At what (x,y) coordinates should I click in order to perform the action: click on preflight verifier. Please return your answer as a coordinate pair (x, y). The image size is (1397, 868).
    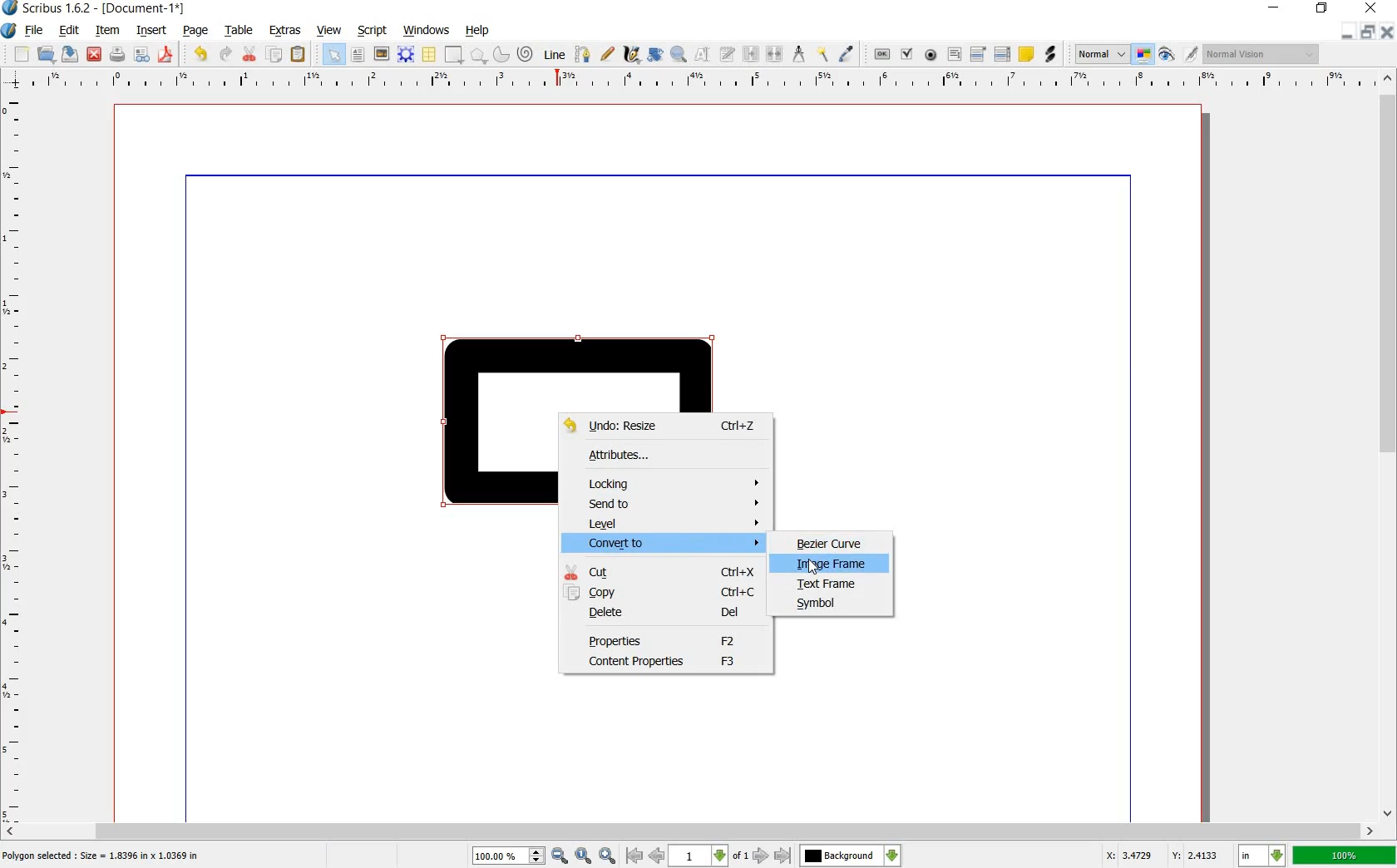
    Looking at the image, I should click on (141, 55).